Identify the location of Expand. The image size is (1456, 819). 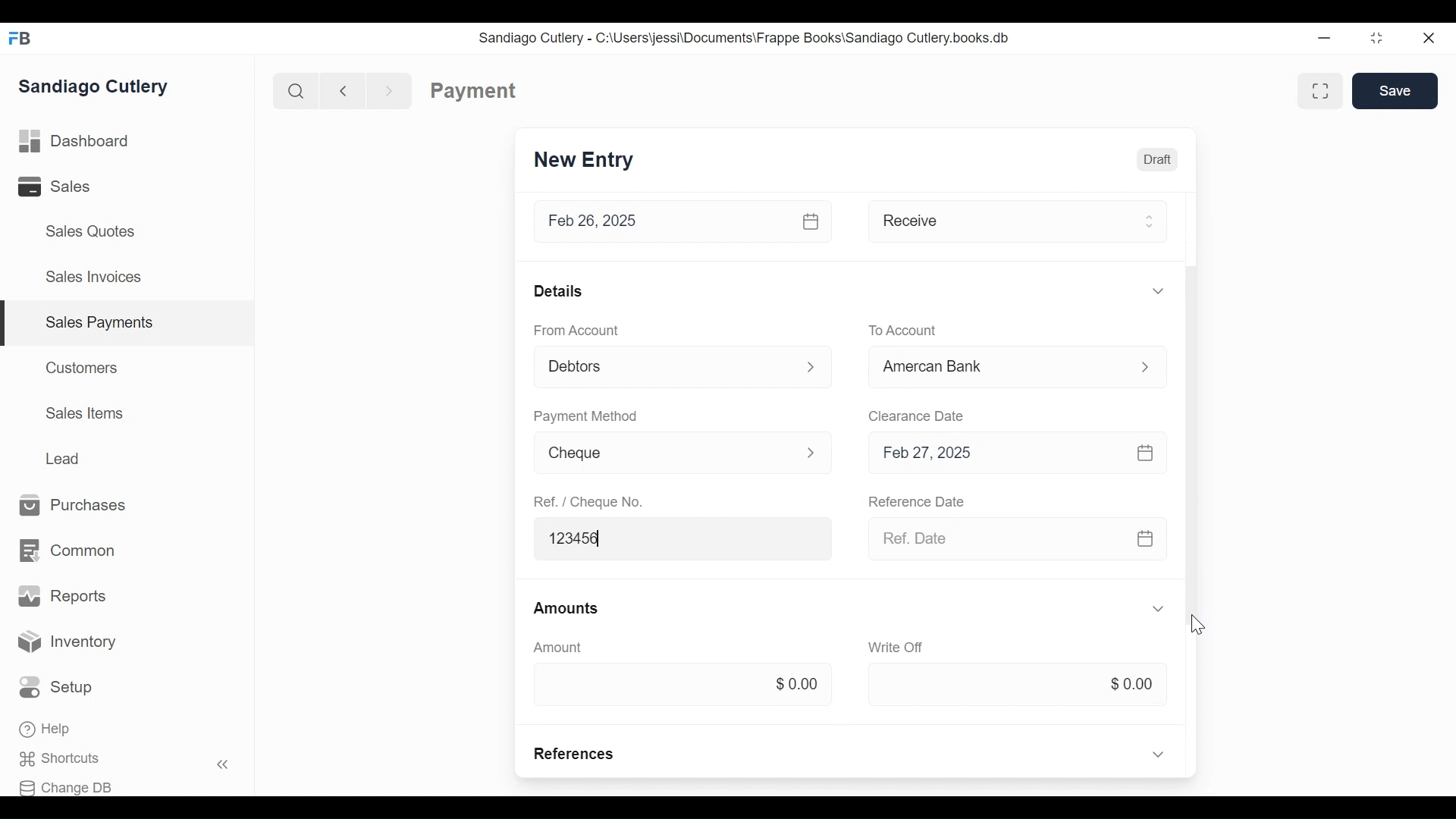
(1157, 290).